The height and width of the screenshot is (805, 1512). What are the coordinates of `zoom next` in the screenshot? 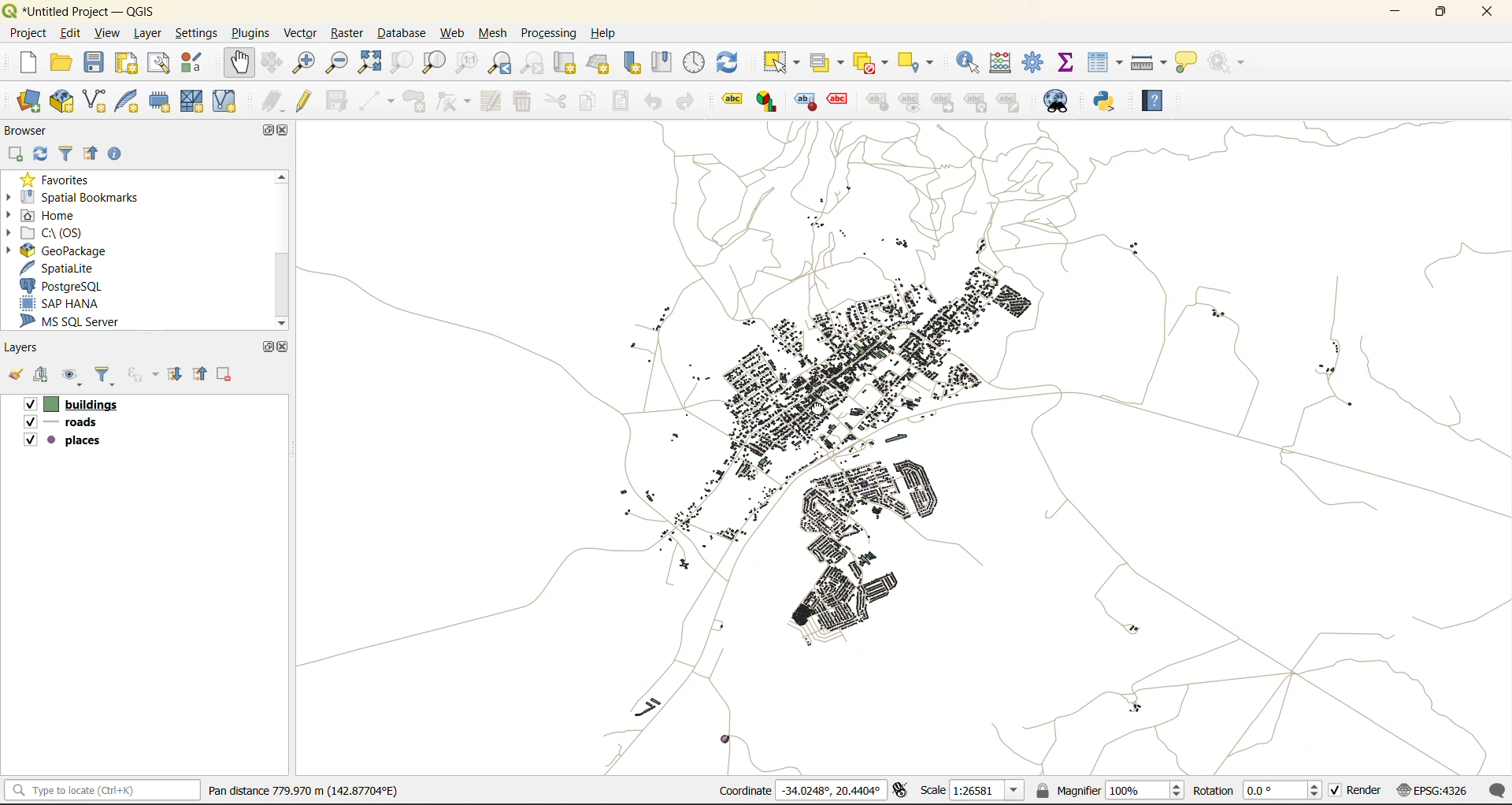 It's located at (532, 63).